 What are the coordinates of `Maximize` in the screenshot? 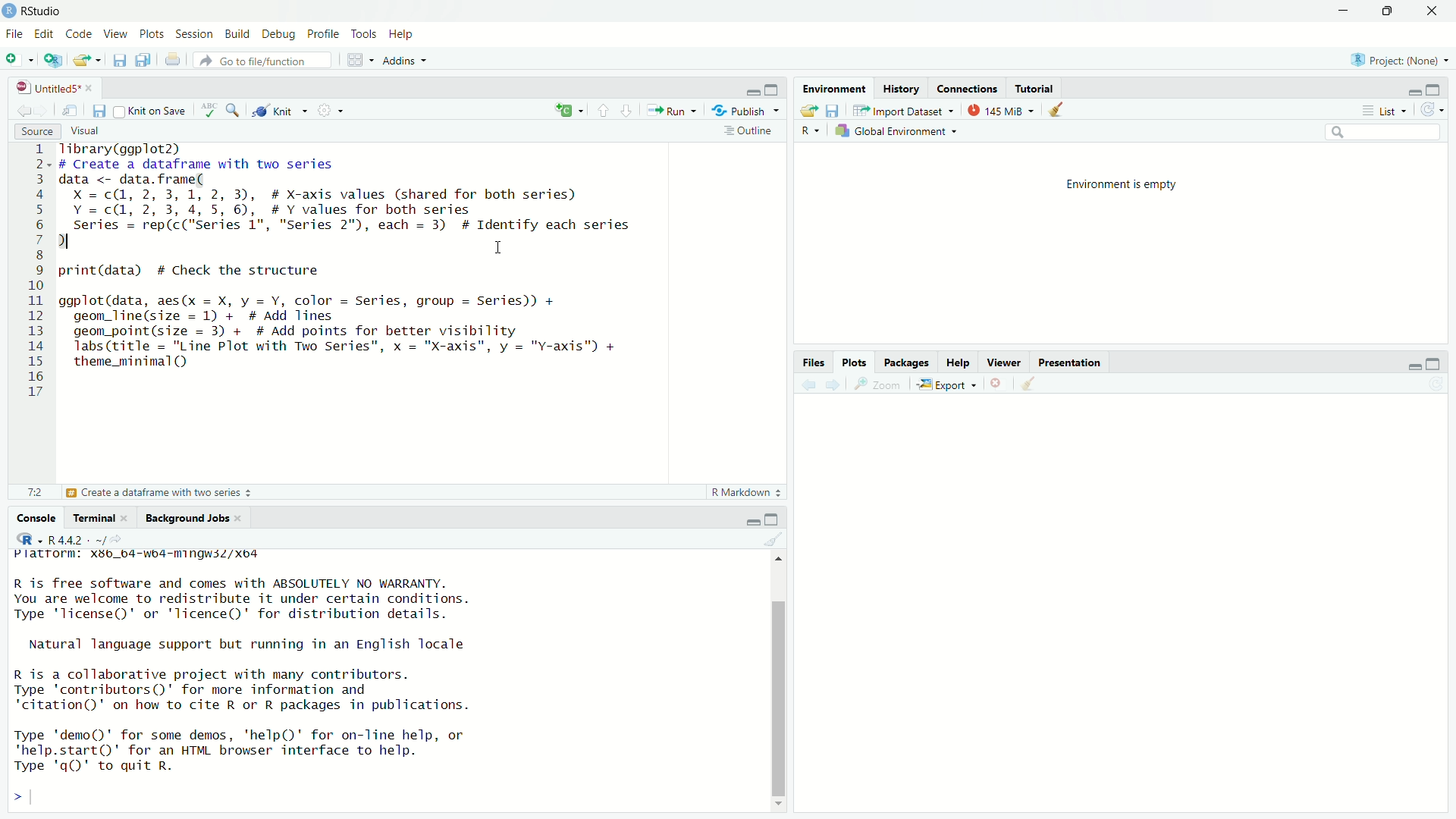 It's located at (772, 519).